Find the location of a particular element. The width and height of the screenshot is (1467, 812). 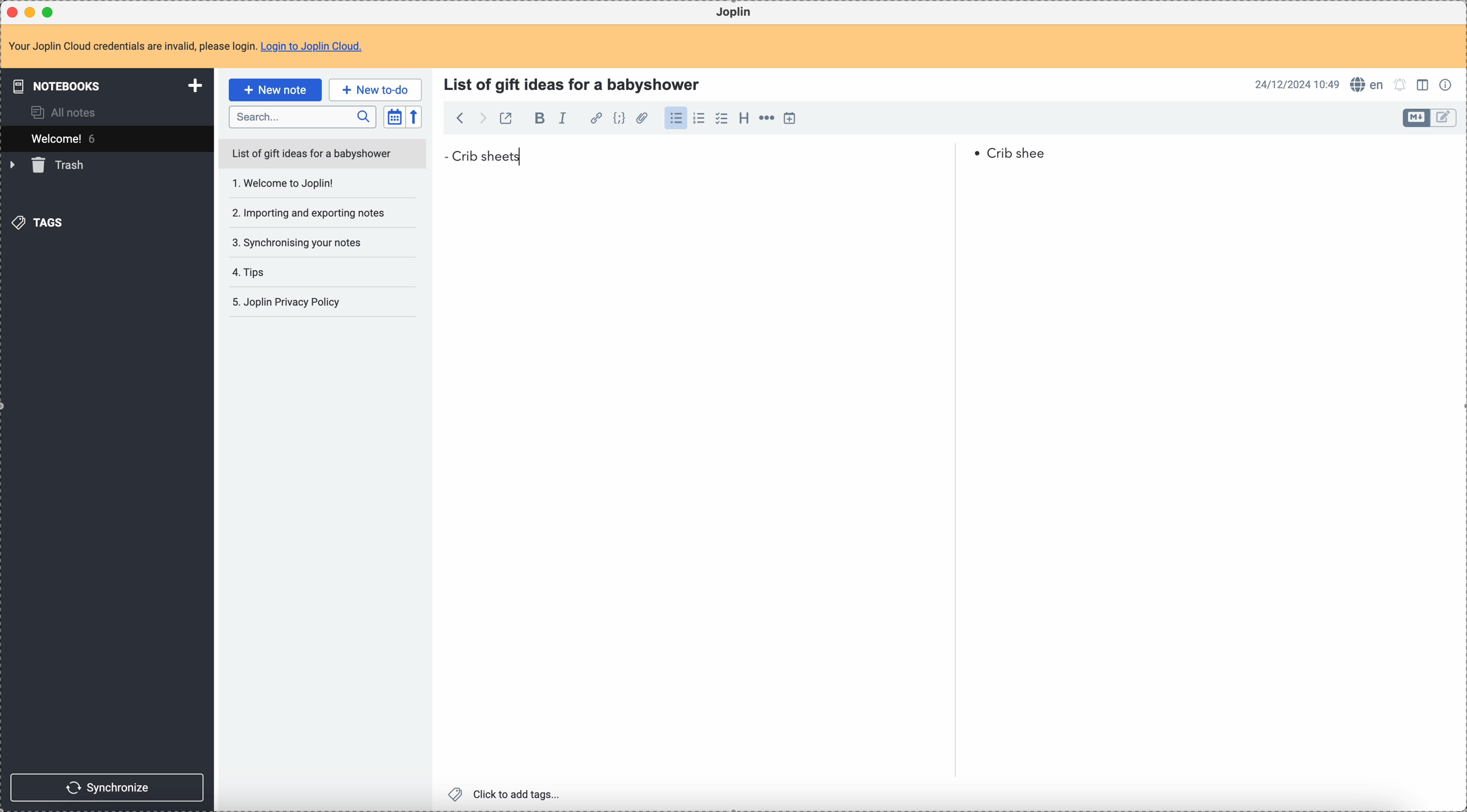

trash is located at coordinates (50, 166).